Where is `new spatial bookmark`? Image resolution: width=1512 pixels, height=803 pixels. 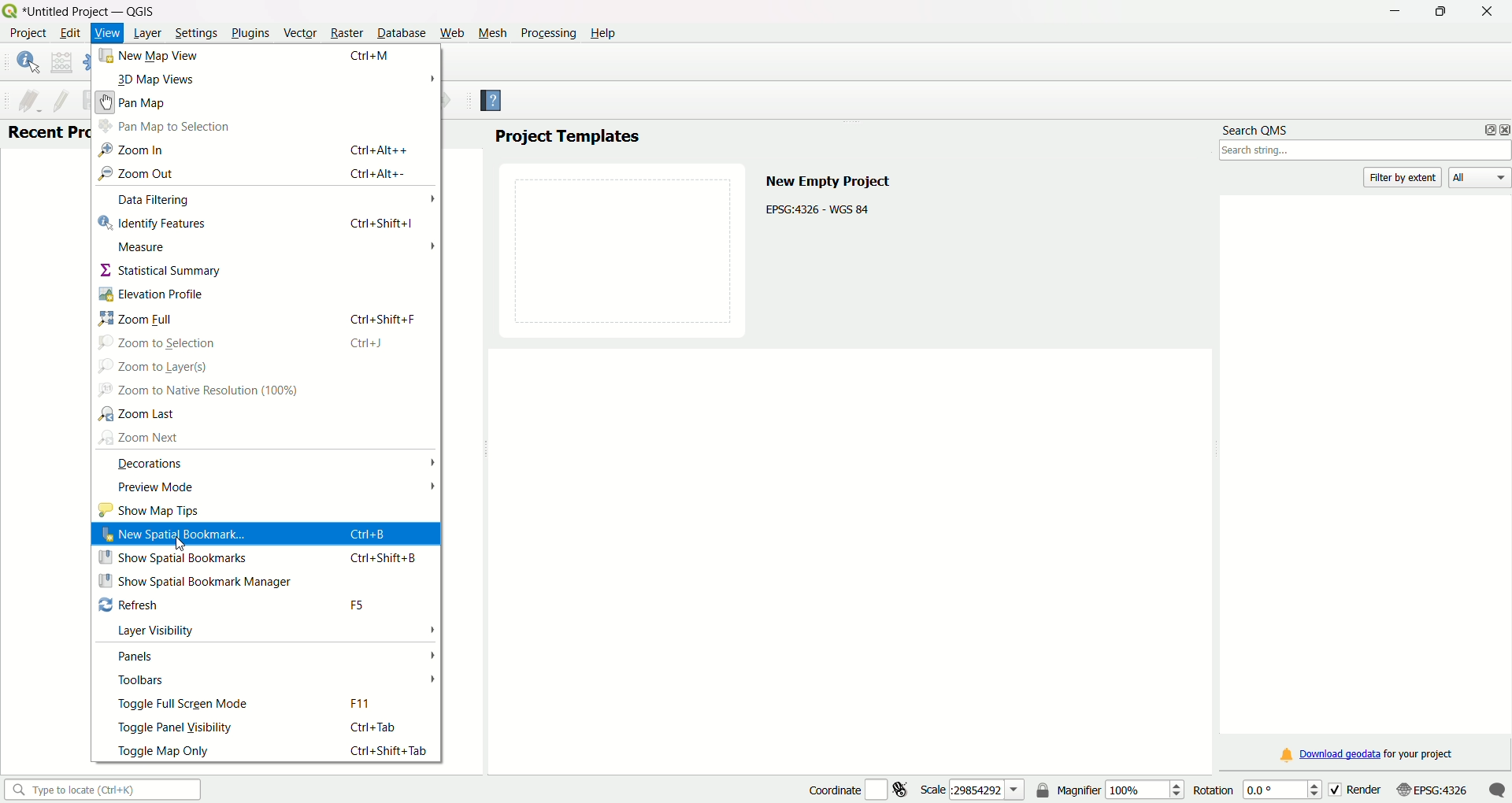
new spatial bookmark is located at coordinates (173, 535).